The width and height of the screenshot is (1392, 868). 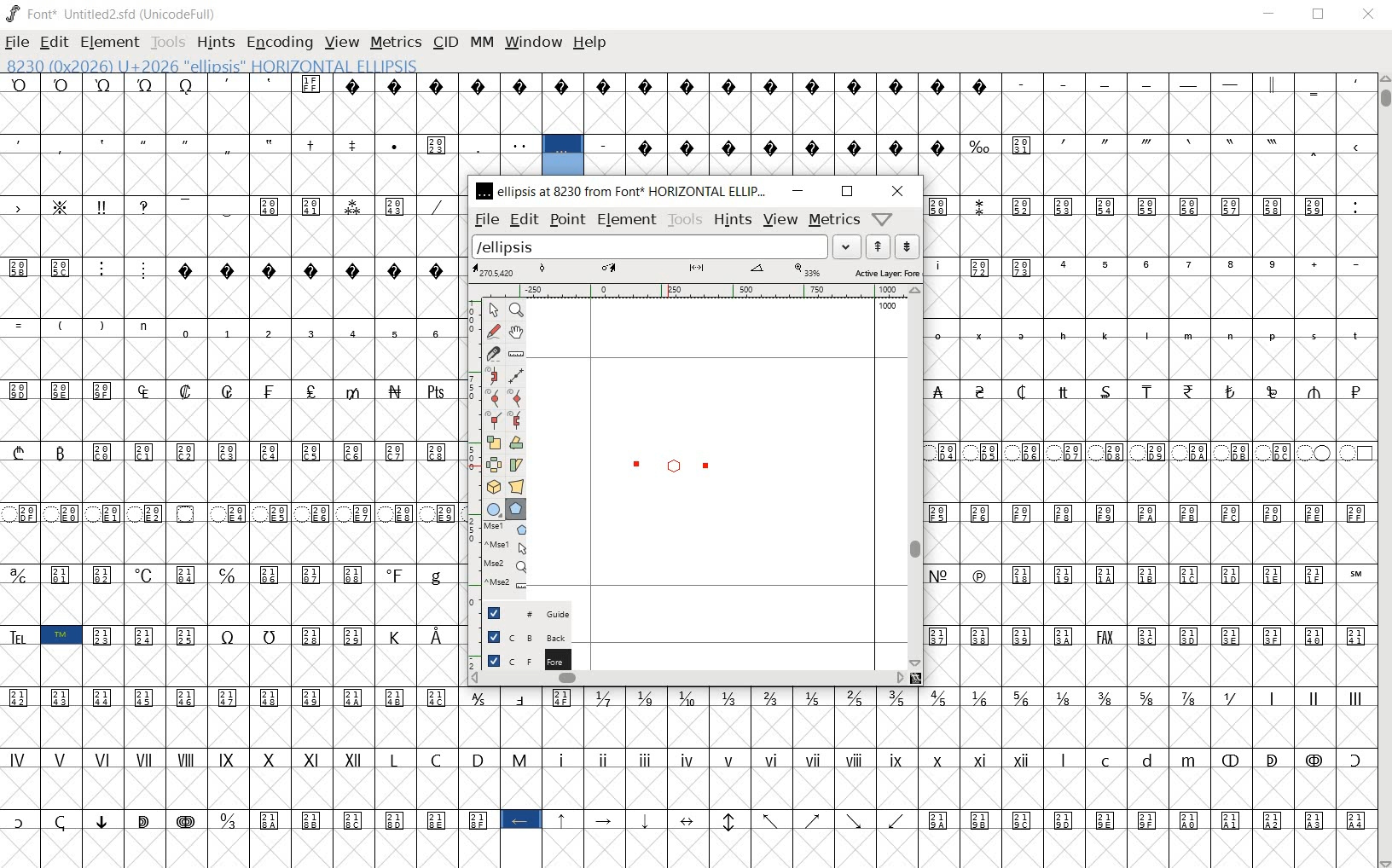 I want to click on cut splines in two, so click(x=494, y=354).